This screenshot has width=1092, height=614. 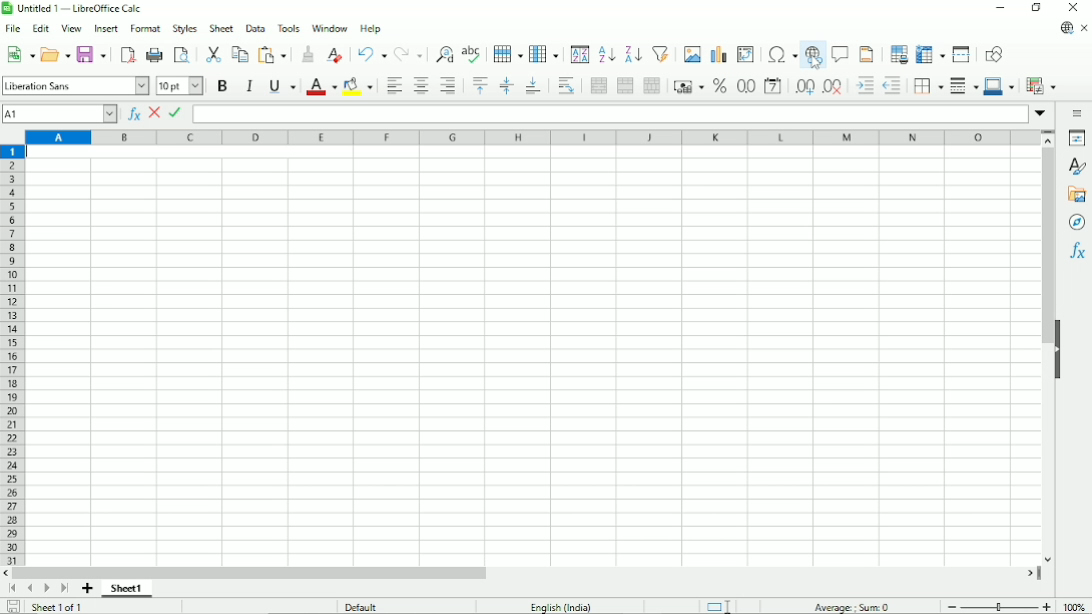 I want to click on Accept, so click(x=176, y=113).